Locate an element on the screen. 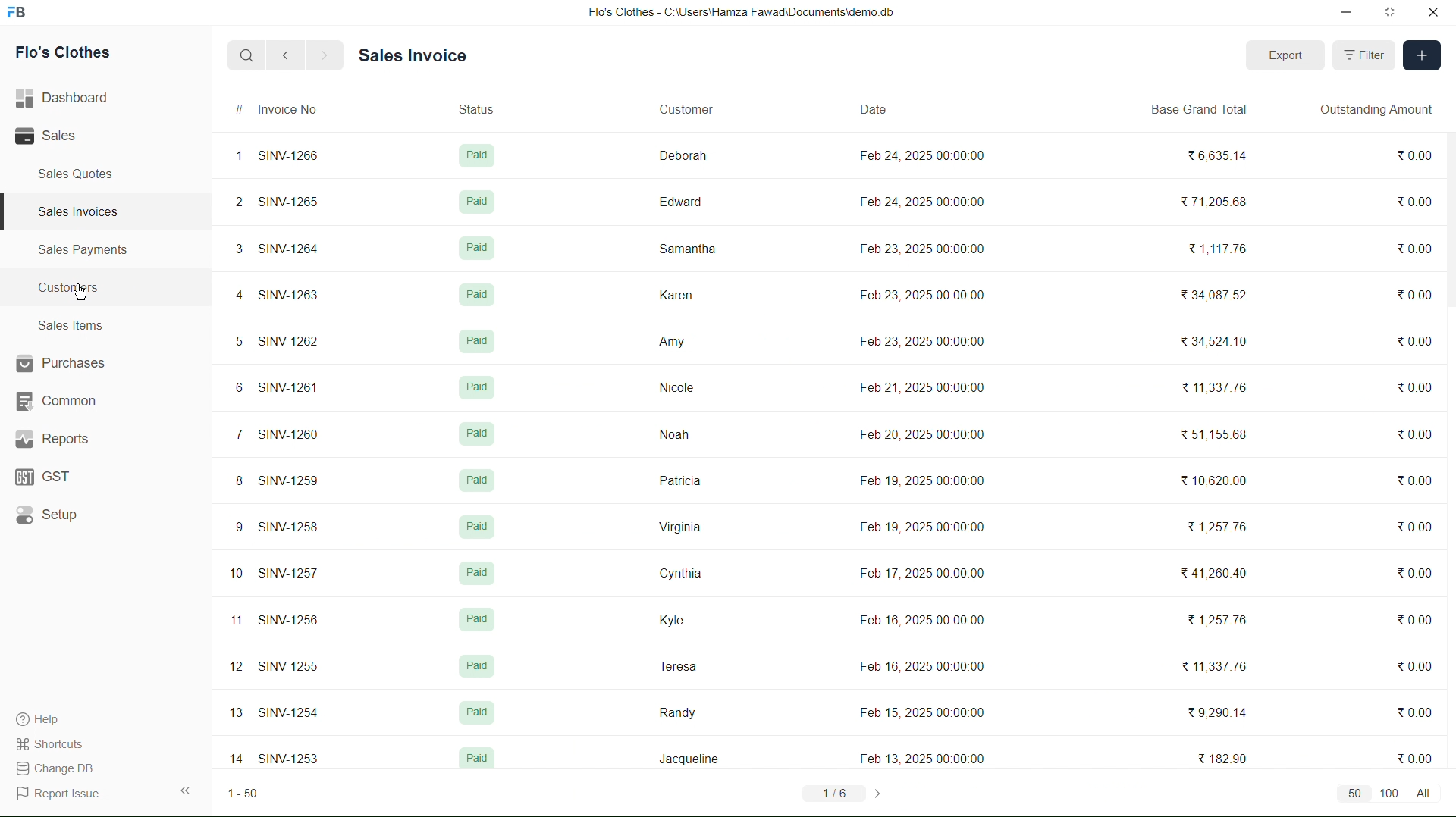  change DB is located at coordinates (55, 768).